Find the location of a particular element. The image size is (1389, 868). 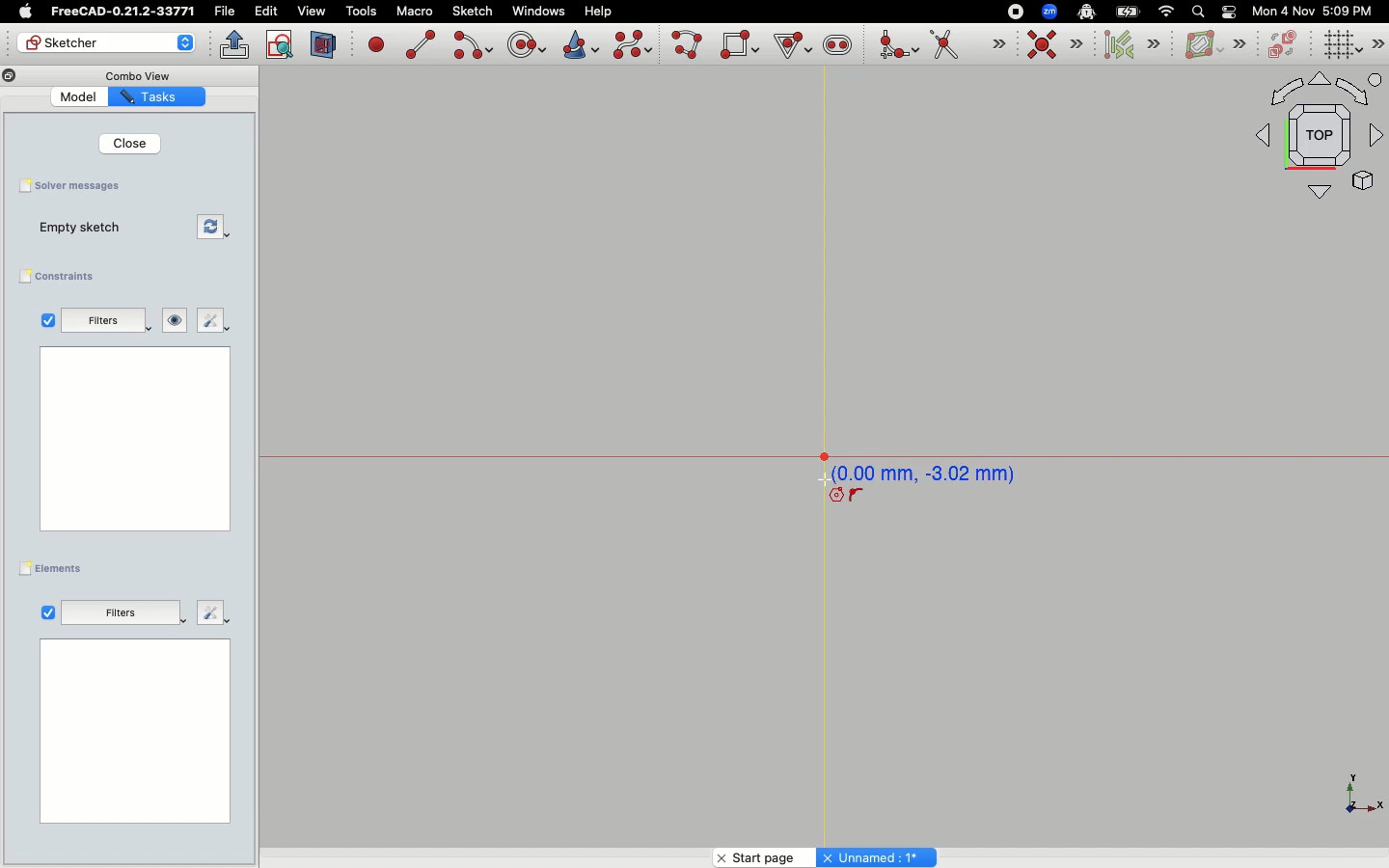

Sketch is located at coordinates (474, 12).